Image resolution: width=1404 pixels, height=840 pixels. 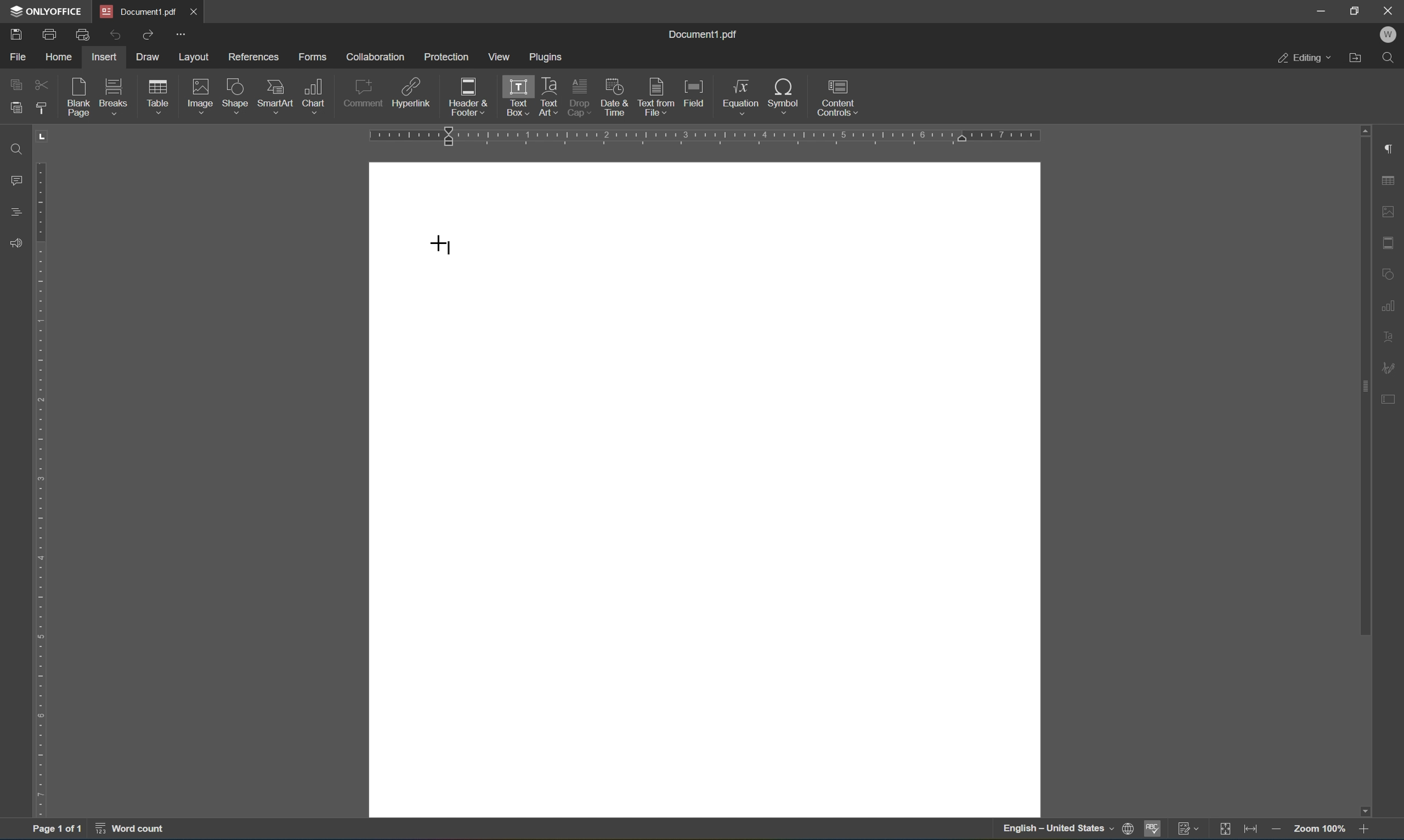 What do you see at coordinates (1059, 830) in the screenshot?
I see `english - united states` at bounding box center [1059, 830].